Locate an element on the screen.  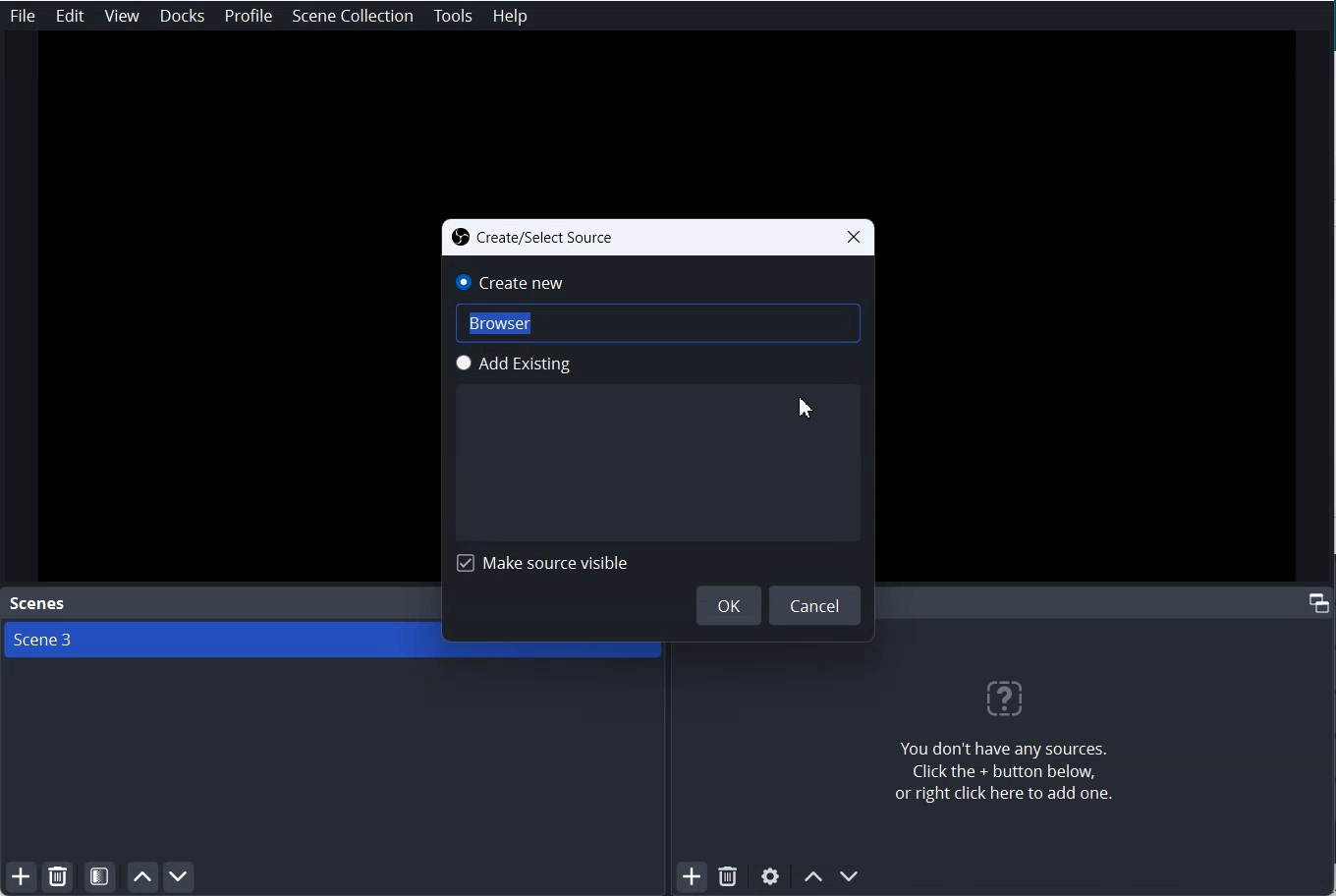
View is located at coordinates (122, 17).